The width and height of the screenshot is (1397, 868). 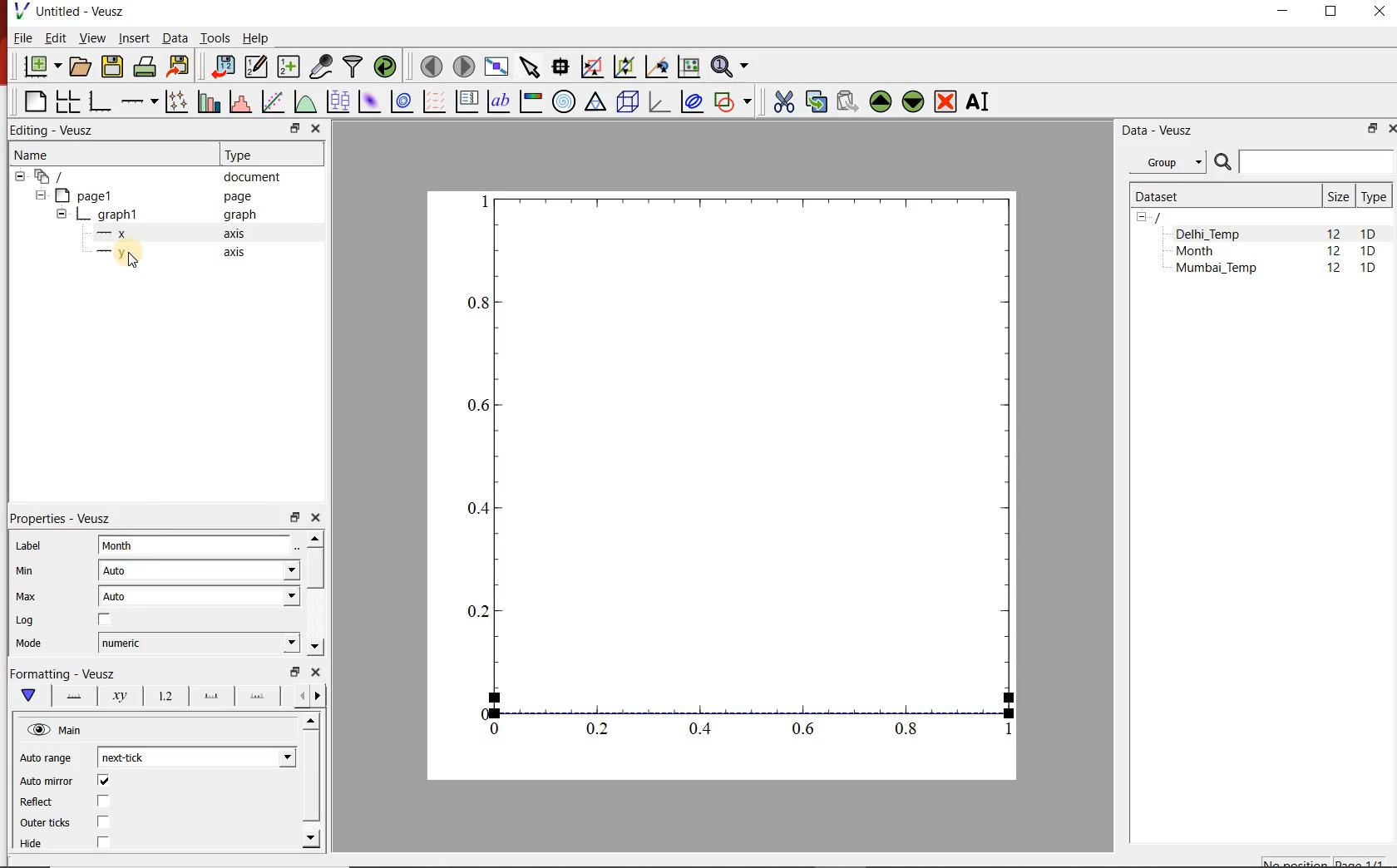 I want to click on plot points with lines and errorbars, so click(x=175, y=102).